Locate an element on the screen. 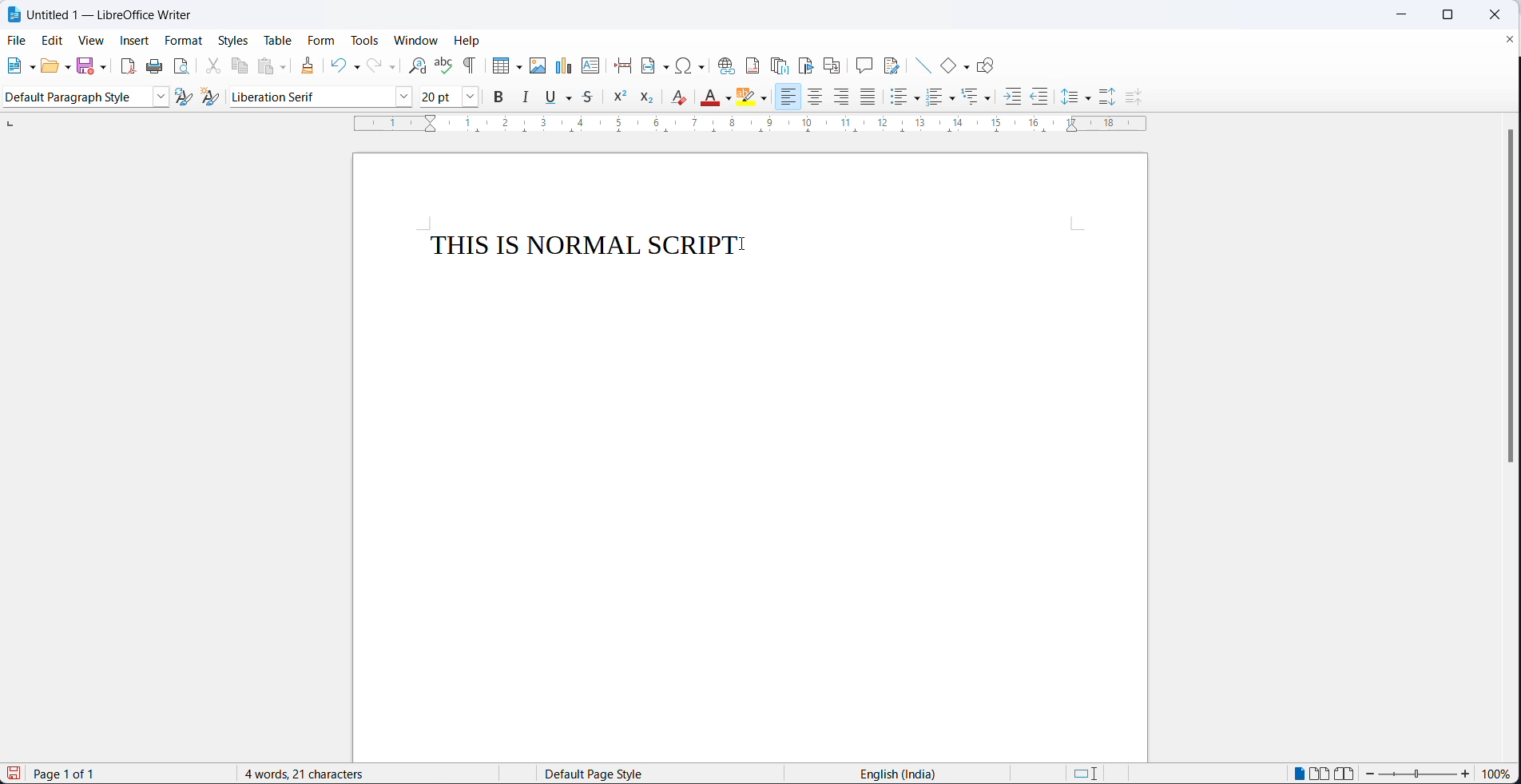 This screenshot has height=784, width=1521. toggle unordered list is located at coordinates (897, 100).